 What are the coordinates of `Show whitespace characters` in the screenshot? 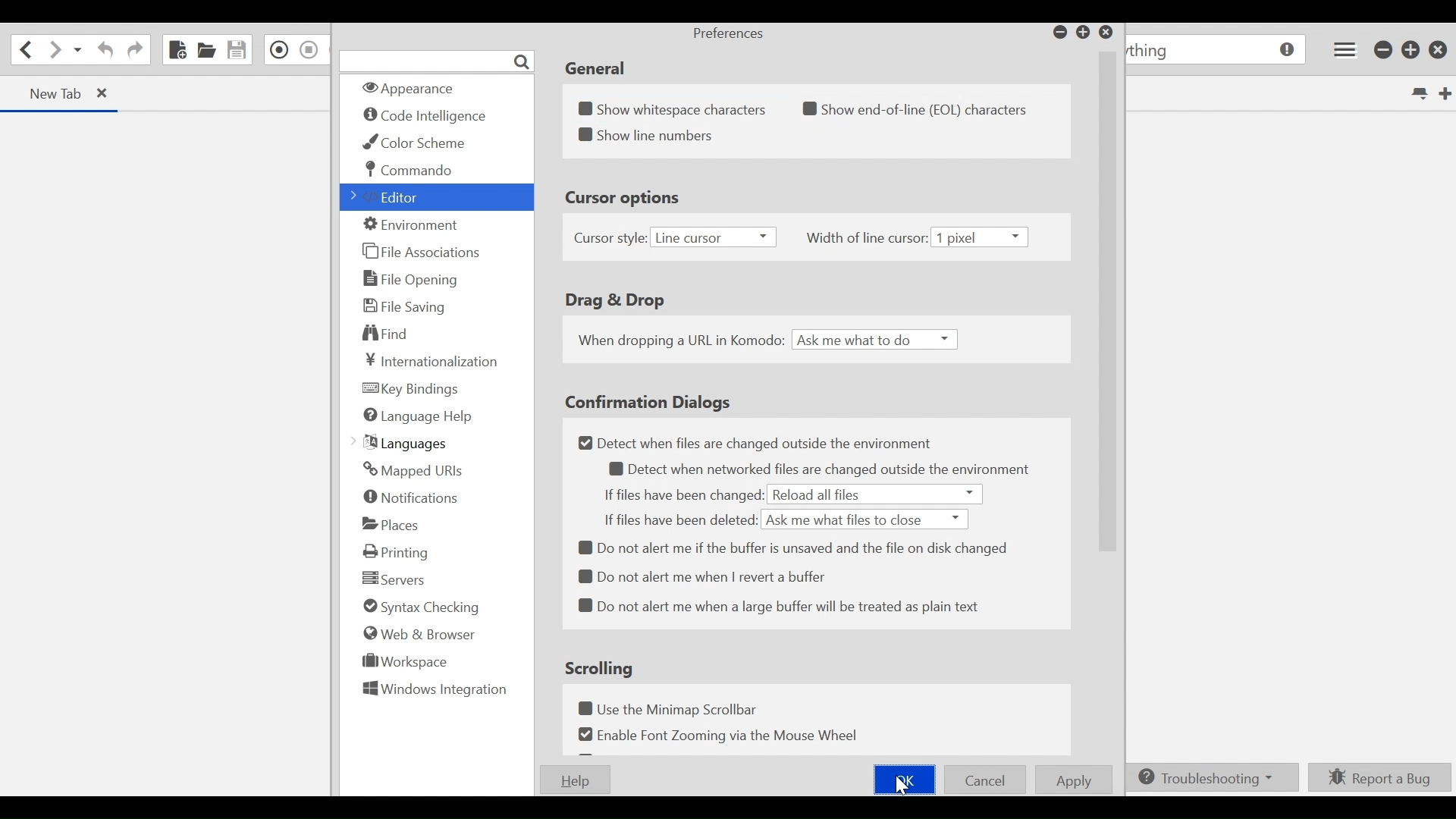 It's located at (675, 105).